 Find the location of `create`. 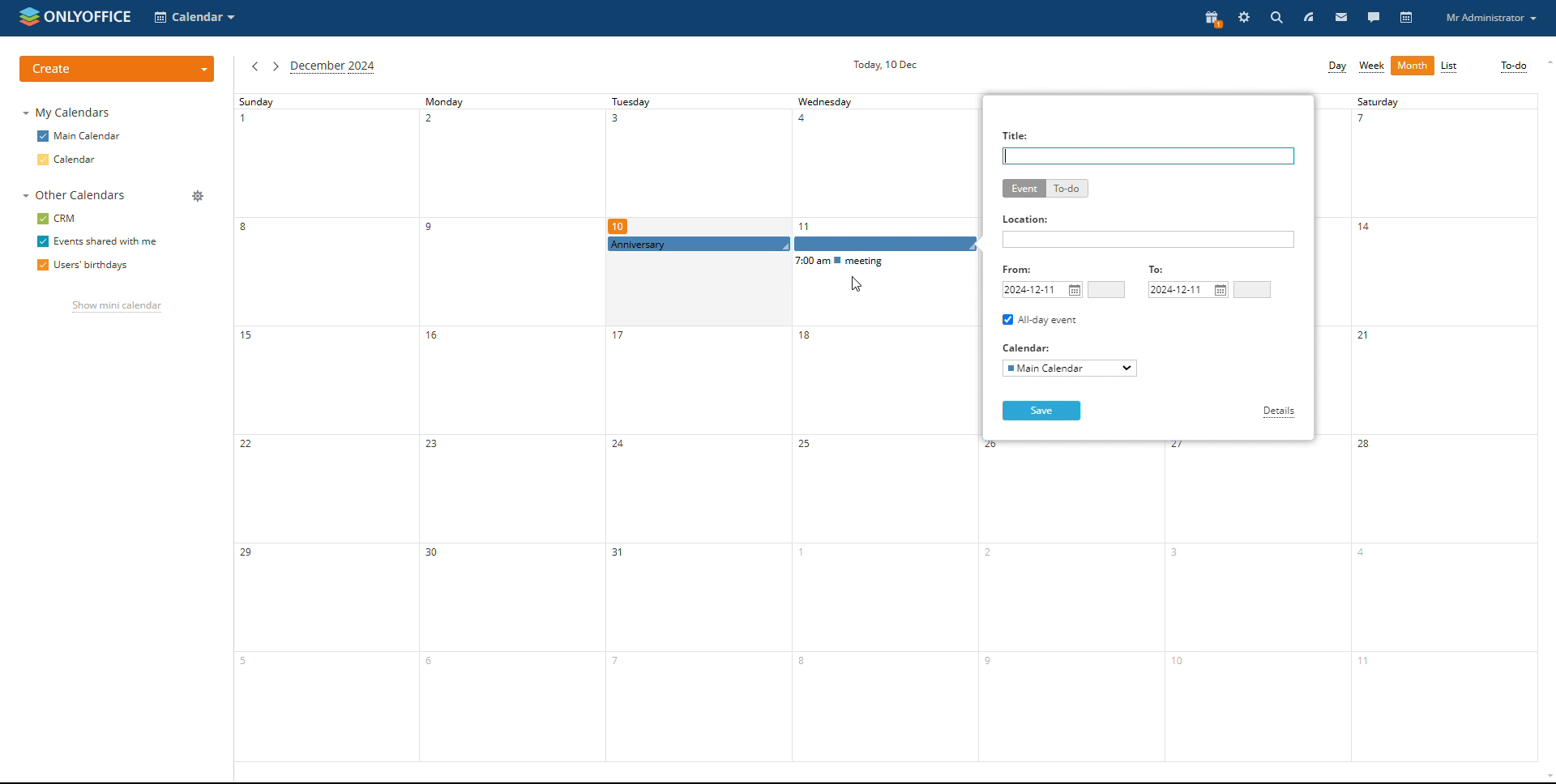

create is located at coordinates (118, 68).